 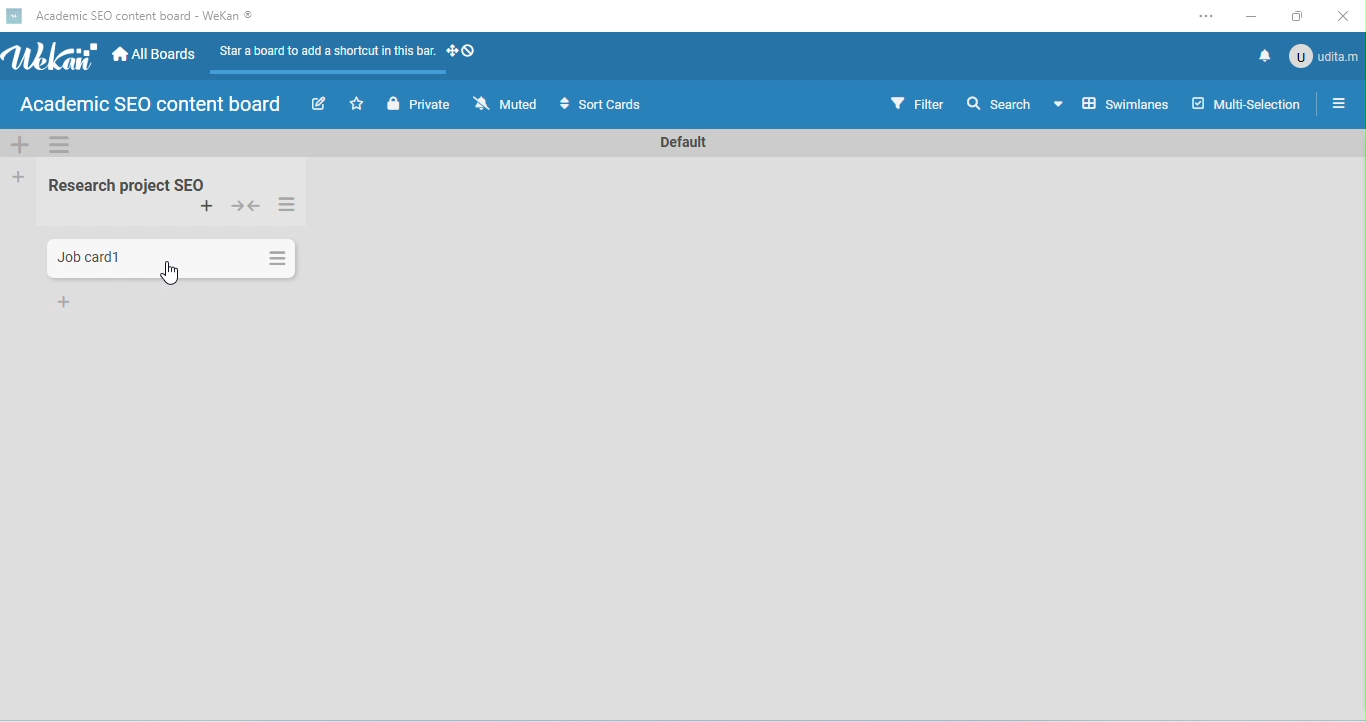 I want to click on edit, so click(x=319, y=104).